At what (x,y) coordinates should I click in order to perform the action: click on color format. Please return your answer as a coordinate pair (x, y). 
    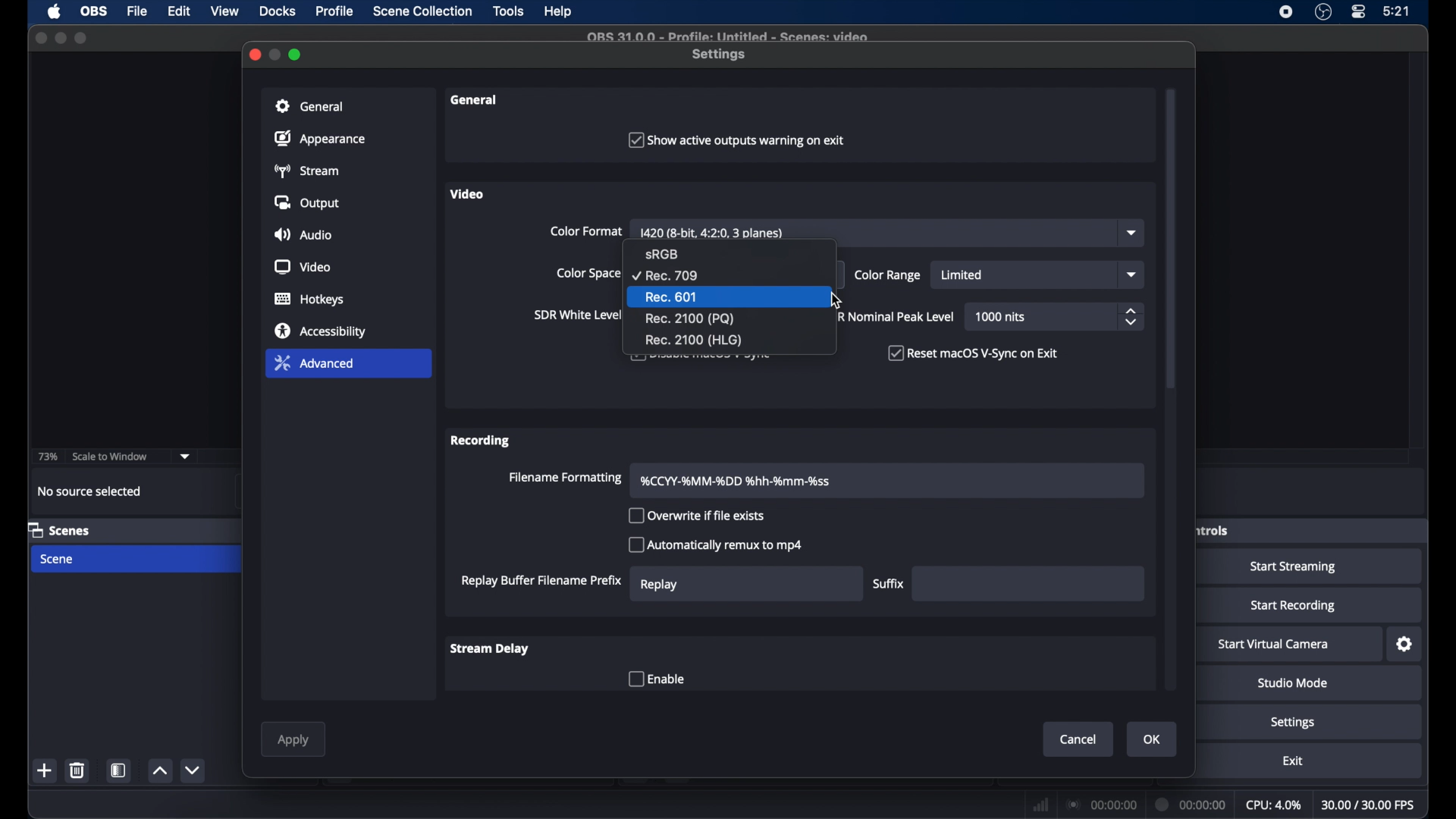
    Looking at the image, I should click on (586, 231).